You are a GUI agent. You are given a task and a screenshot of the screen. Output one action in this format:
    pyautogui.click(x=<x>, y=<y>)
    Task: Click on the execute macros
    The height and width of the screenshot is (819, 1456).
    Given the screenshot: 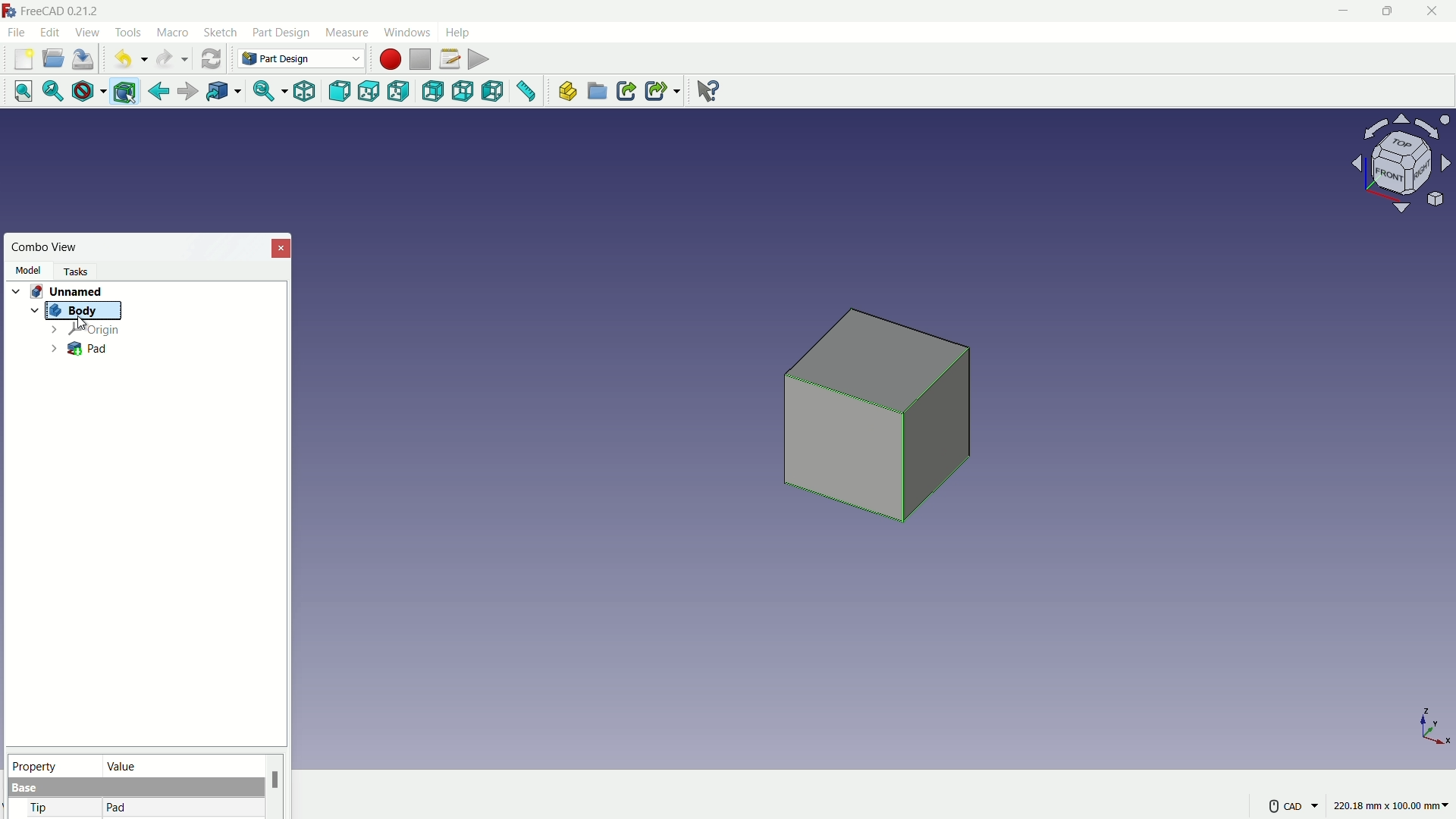 What is the action you would take?
    pyautogui.click(x=480, y=58)
    